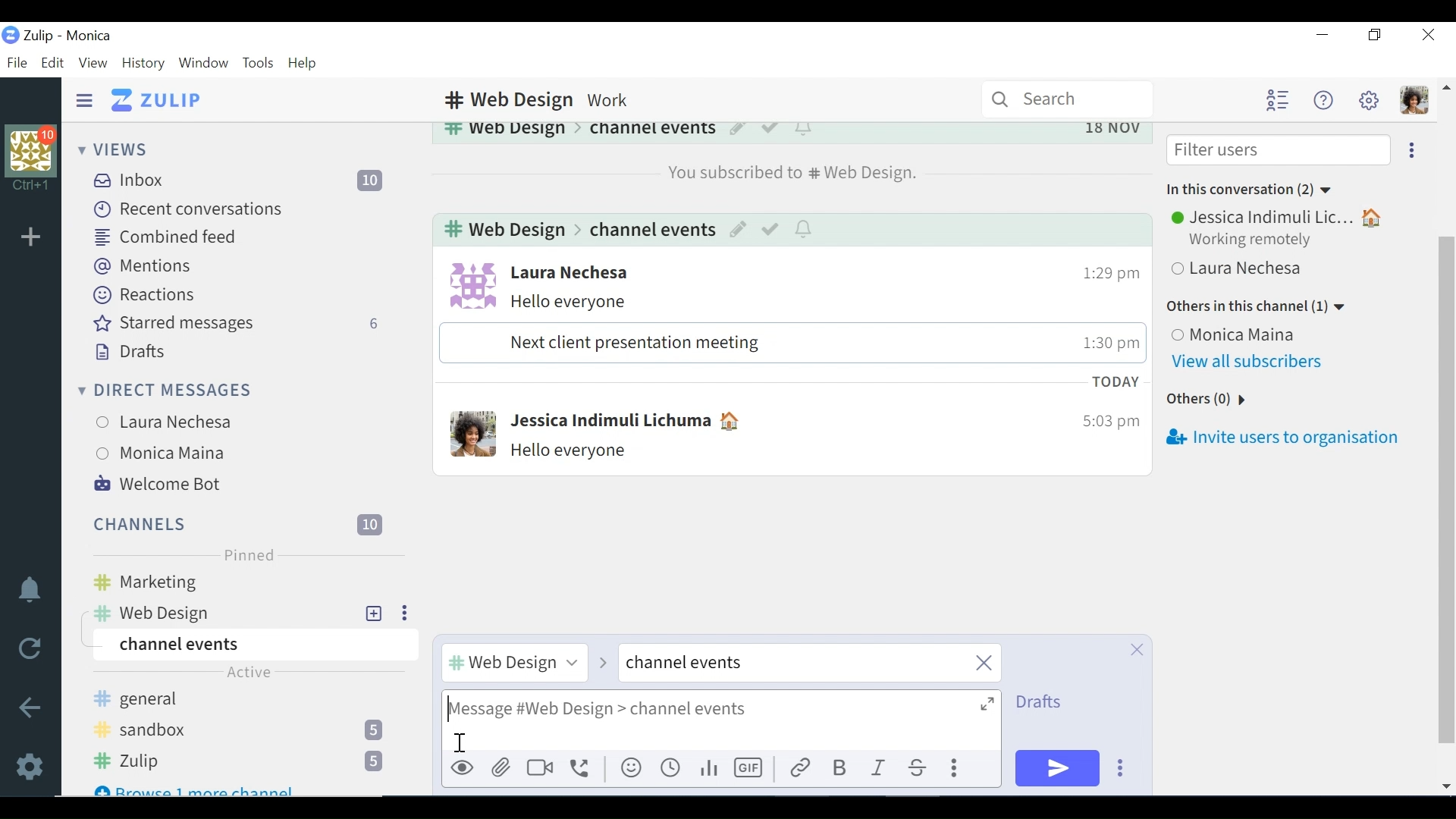  What do you see at coordinates (92, 61) in the screenshot?
I see `View` at bounding box center [92, 61].